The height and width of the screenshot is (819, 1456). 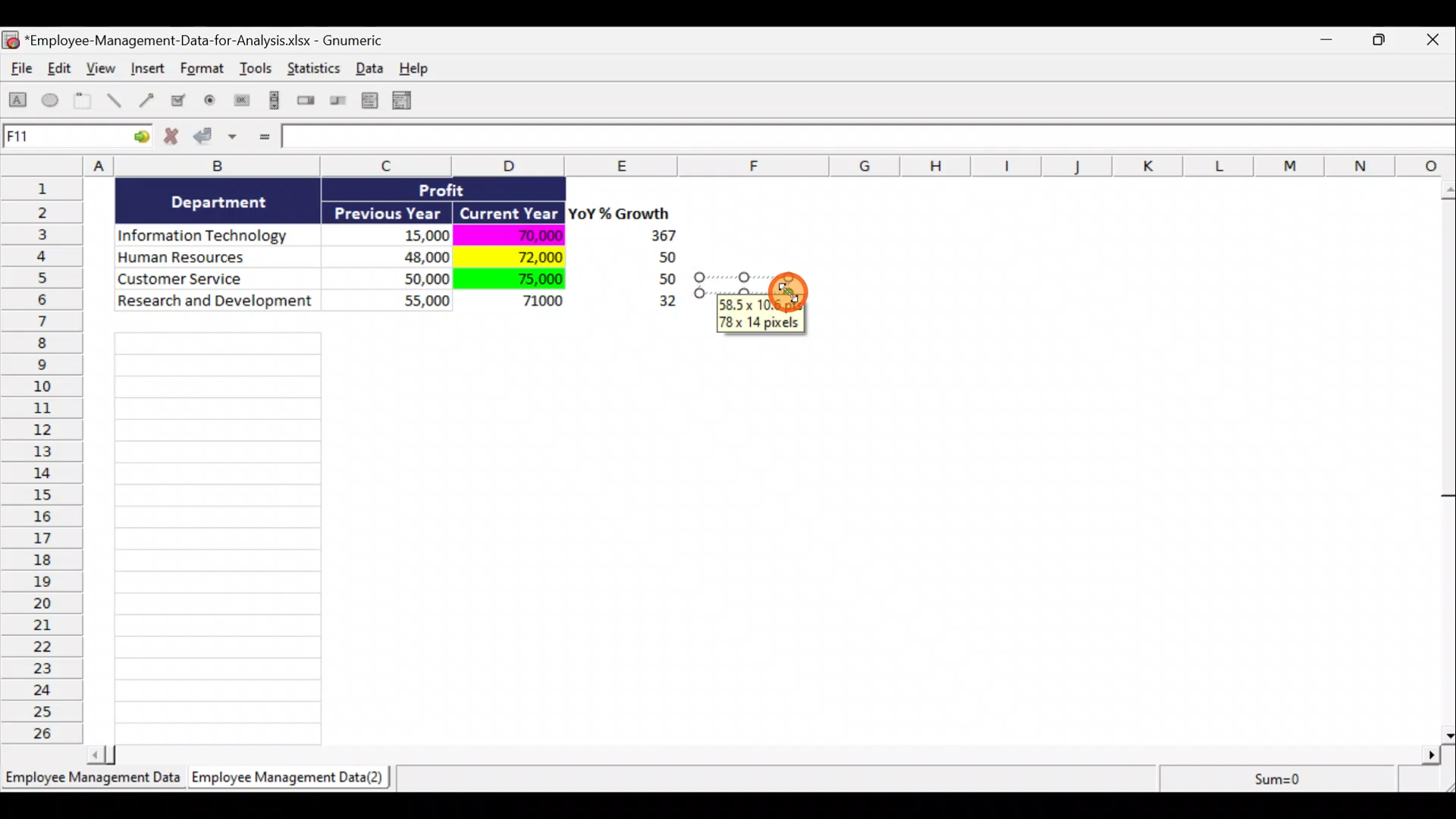 What do you see at coordinates (292, 781) in the screenshot?
I see `Sheet 2` at bounding box center [292, 781].